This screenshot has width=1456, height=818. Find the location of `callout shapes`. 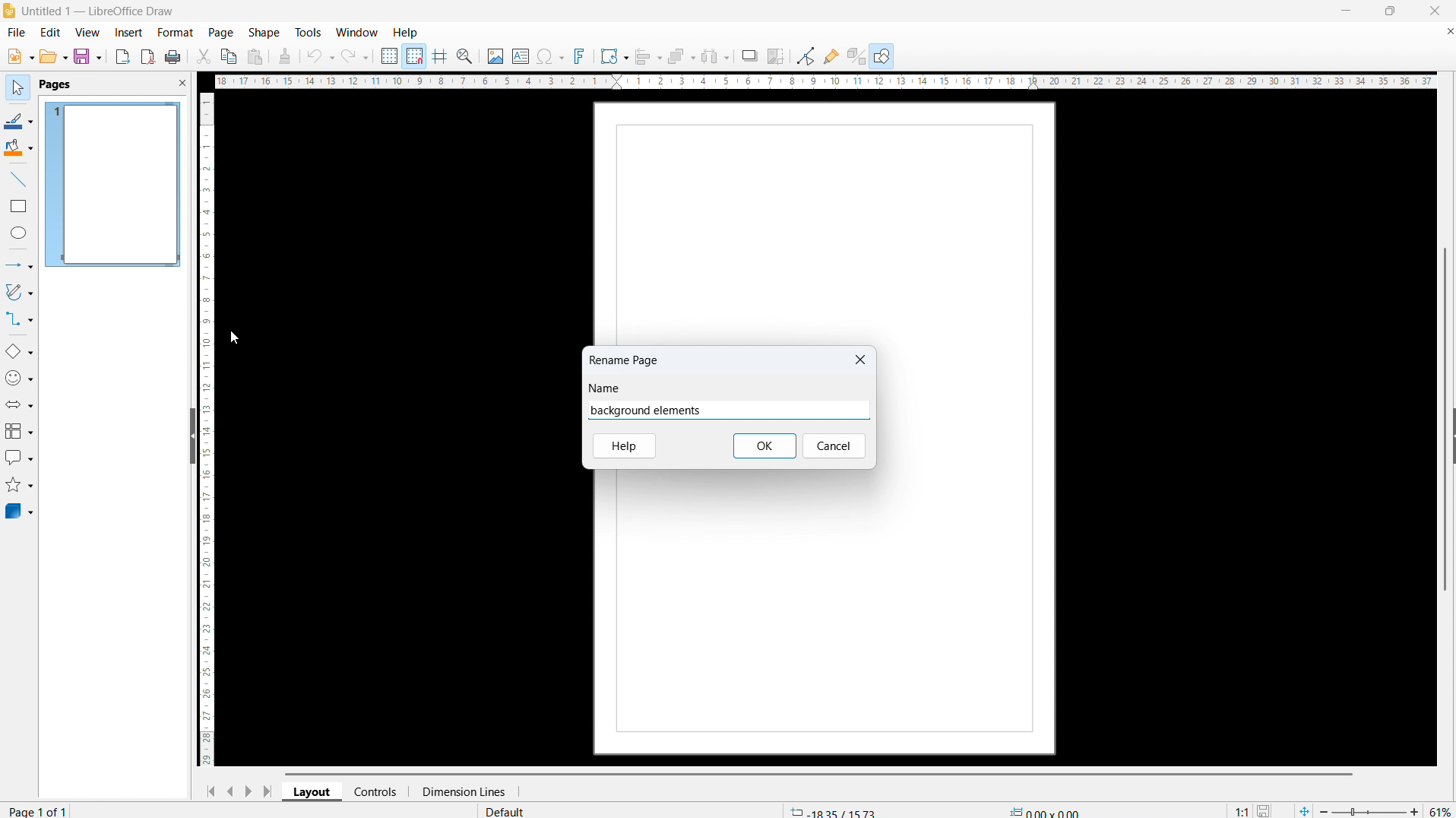

callout shapes is located at coordinates (20, 459).